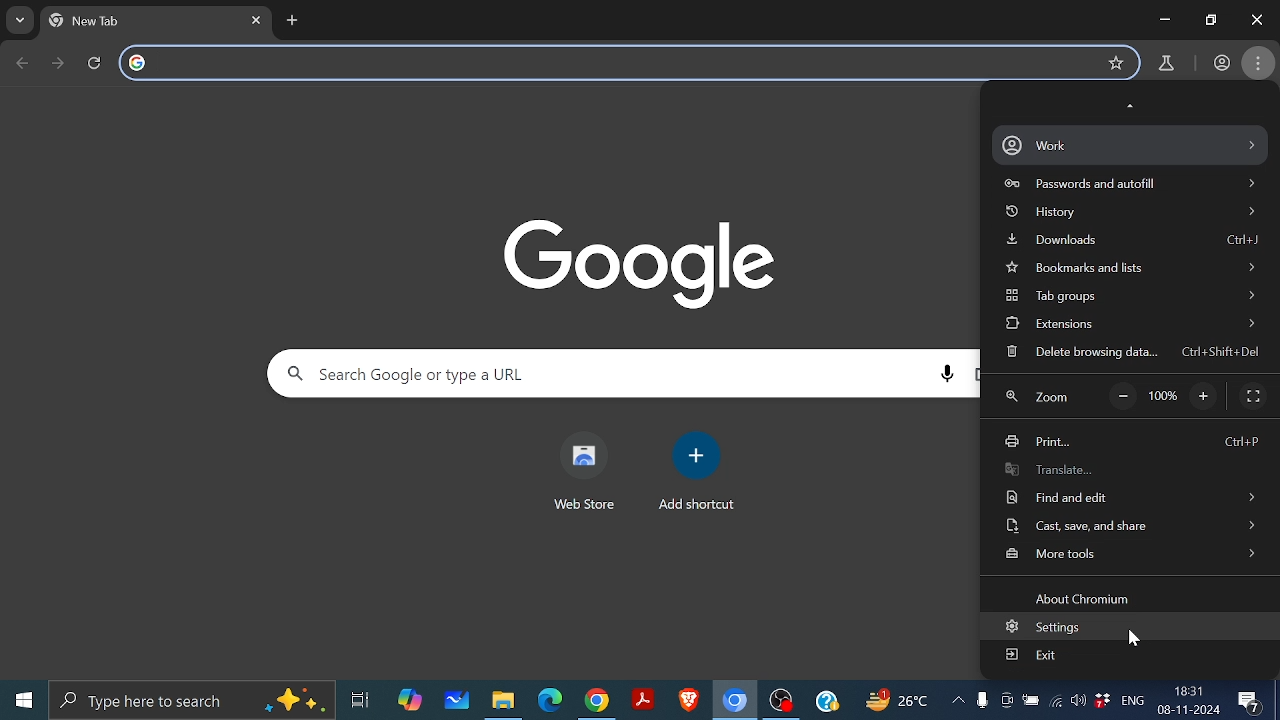 Image resolution: width=1280 pixels, height=720 pixels. Describe the element at coordinates (1045, 627) in the screenshot. I see `Settings` at that location.